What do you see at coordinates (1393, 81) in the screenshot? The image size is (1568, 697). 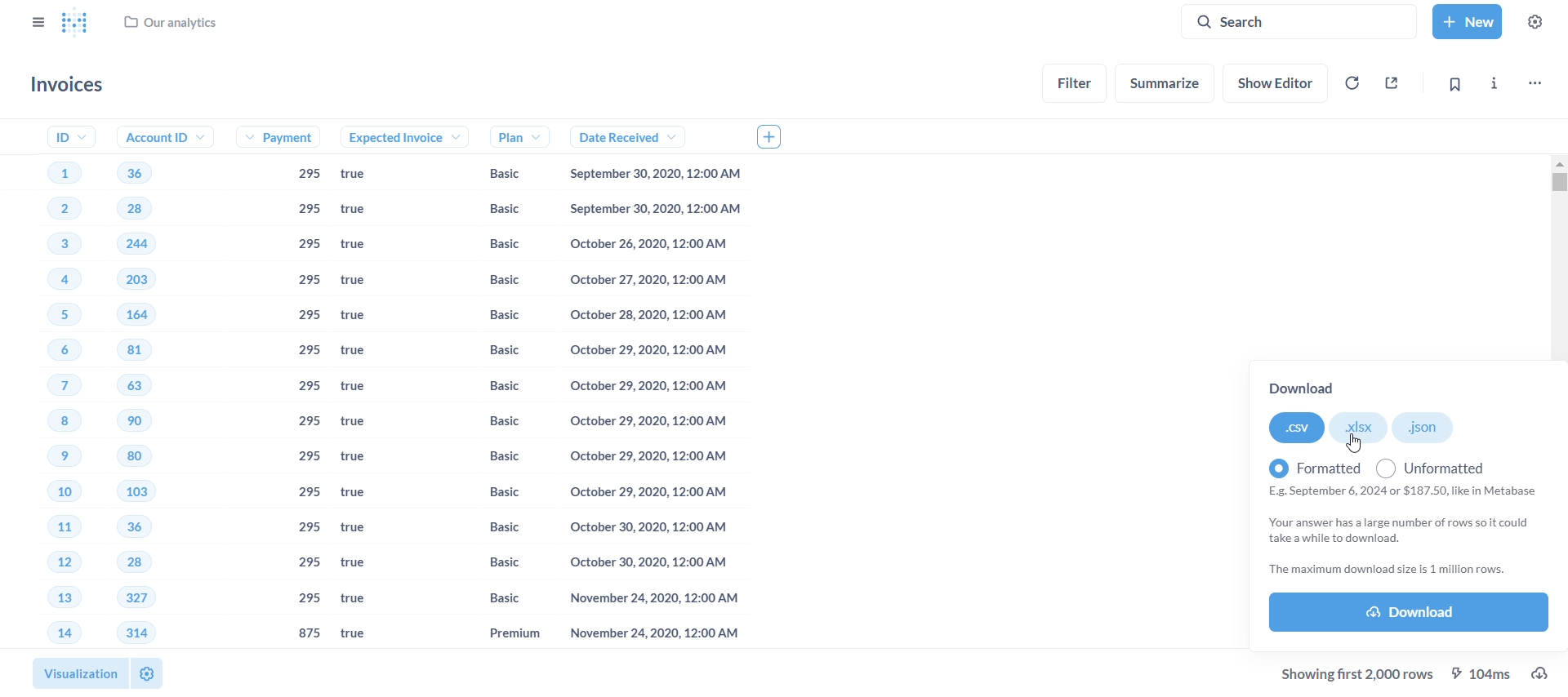 I see `sharing` at bounding box center [1393, 81].